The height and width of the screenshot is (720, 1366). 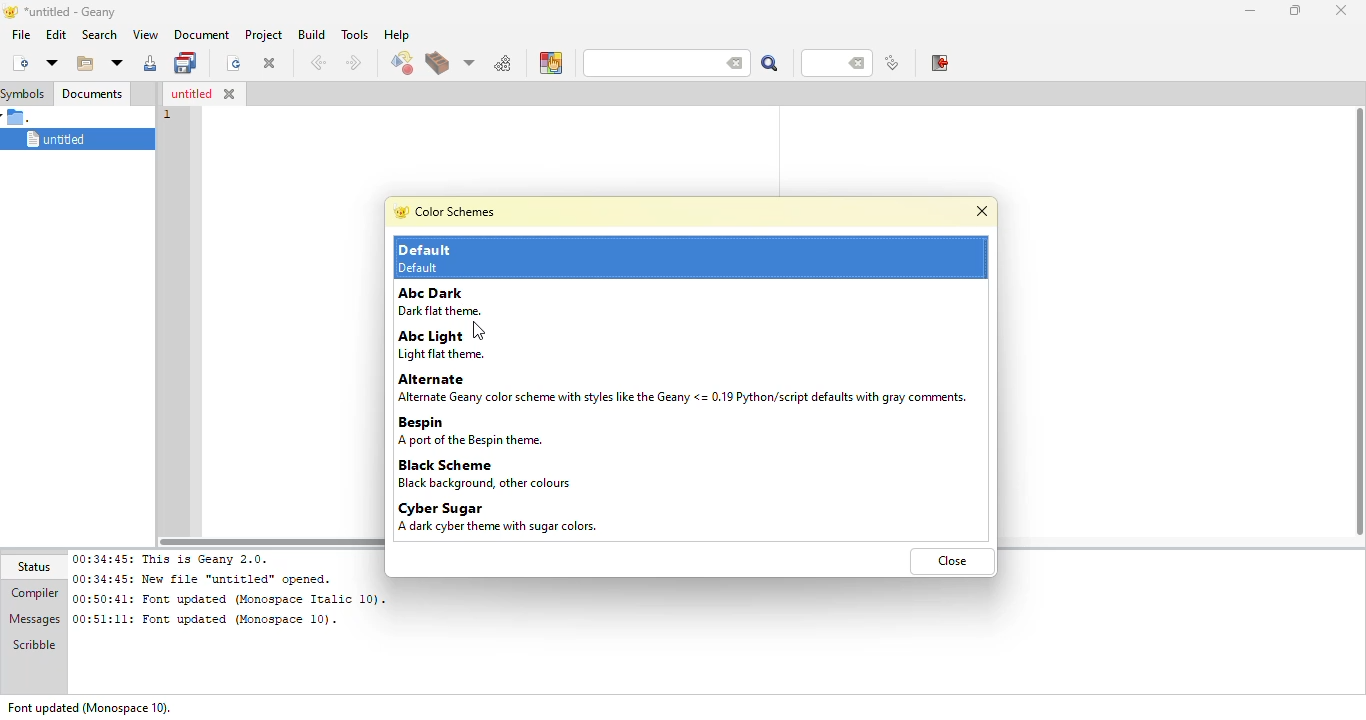 I want to click on compile, so click(x=401, y=64).